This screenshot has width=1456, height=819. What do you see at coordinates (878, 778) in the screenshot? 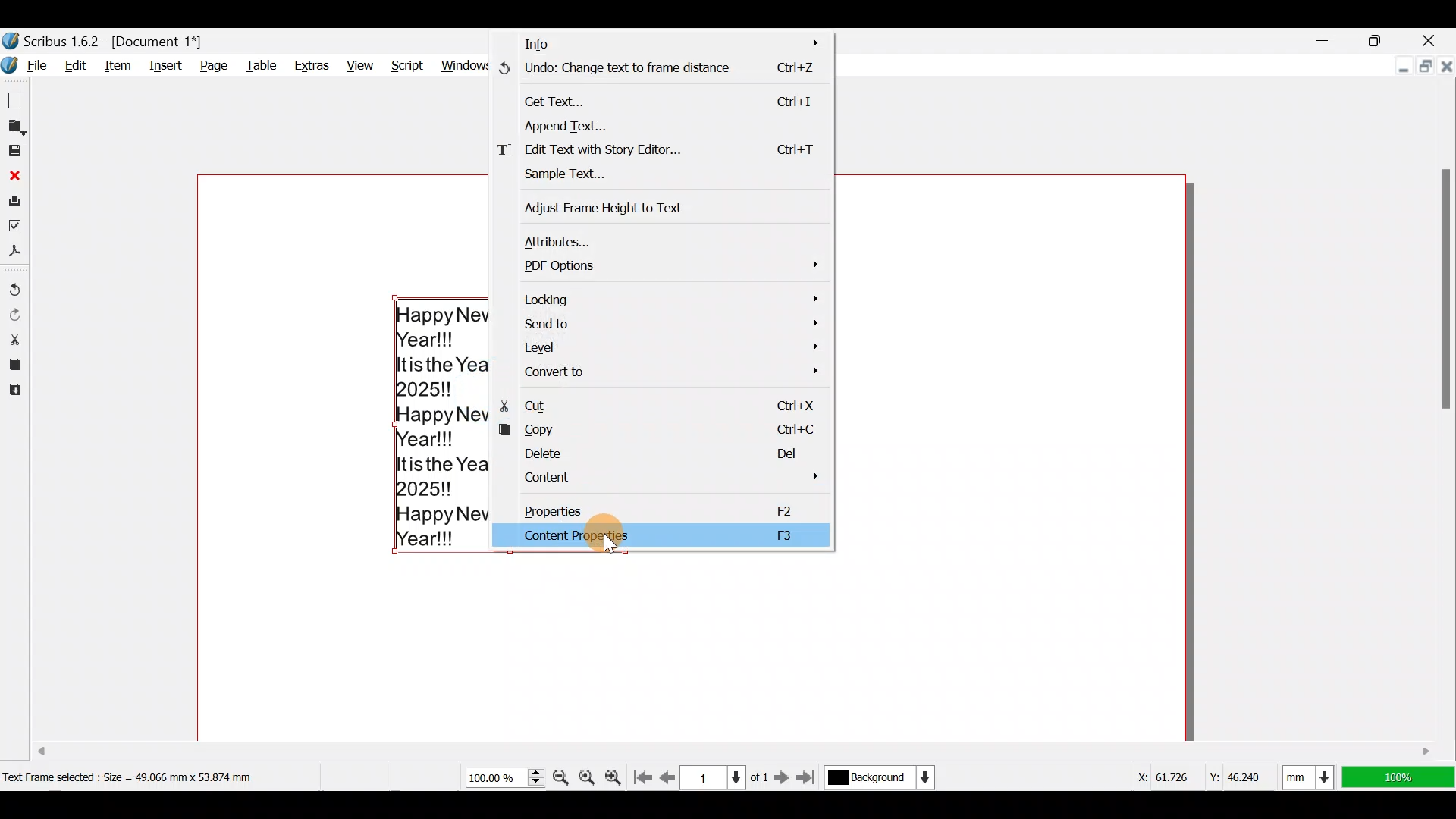
I see `Select current layer` at bounding box center [878, 778].